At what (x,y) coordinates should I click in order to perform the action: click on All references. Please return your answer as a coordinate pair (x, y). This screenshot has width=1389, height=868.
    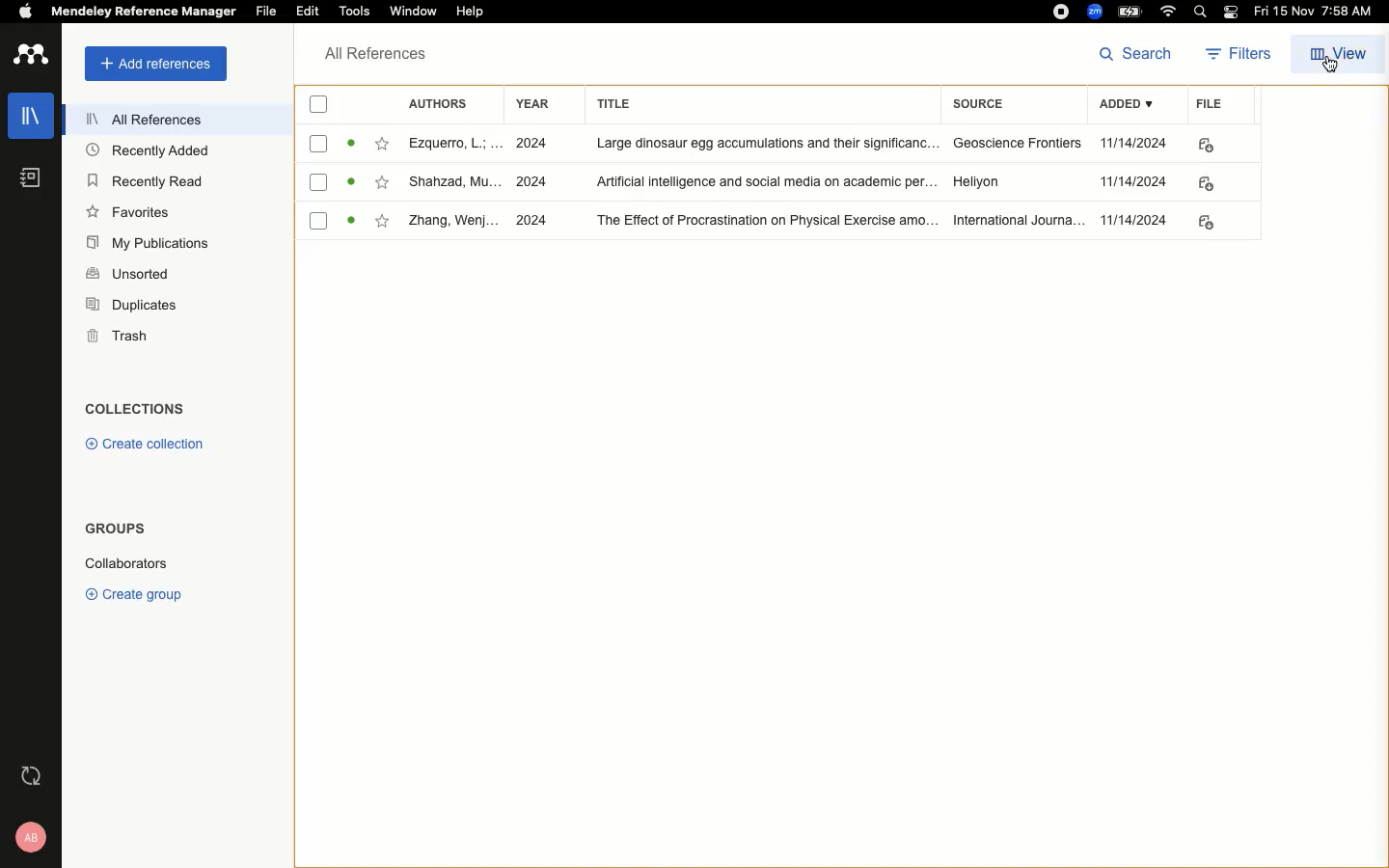
    Looking at the image, I should click on (370, 55).